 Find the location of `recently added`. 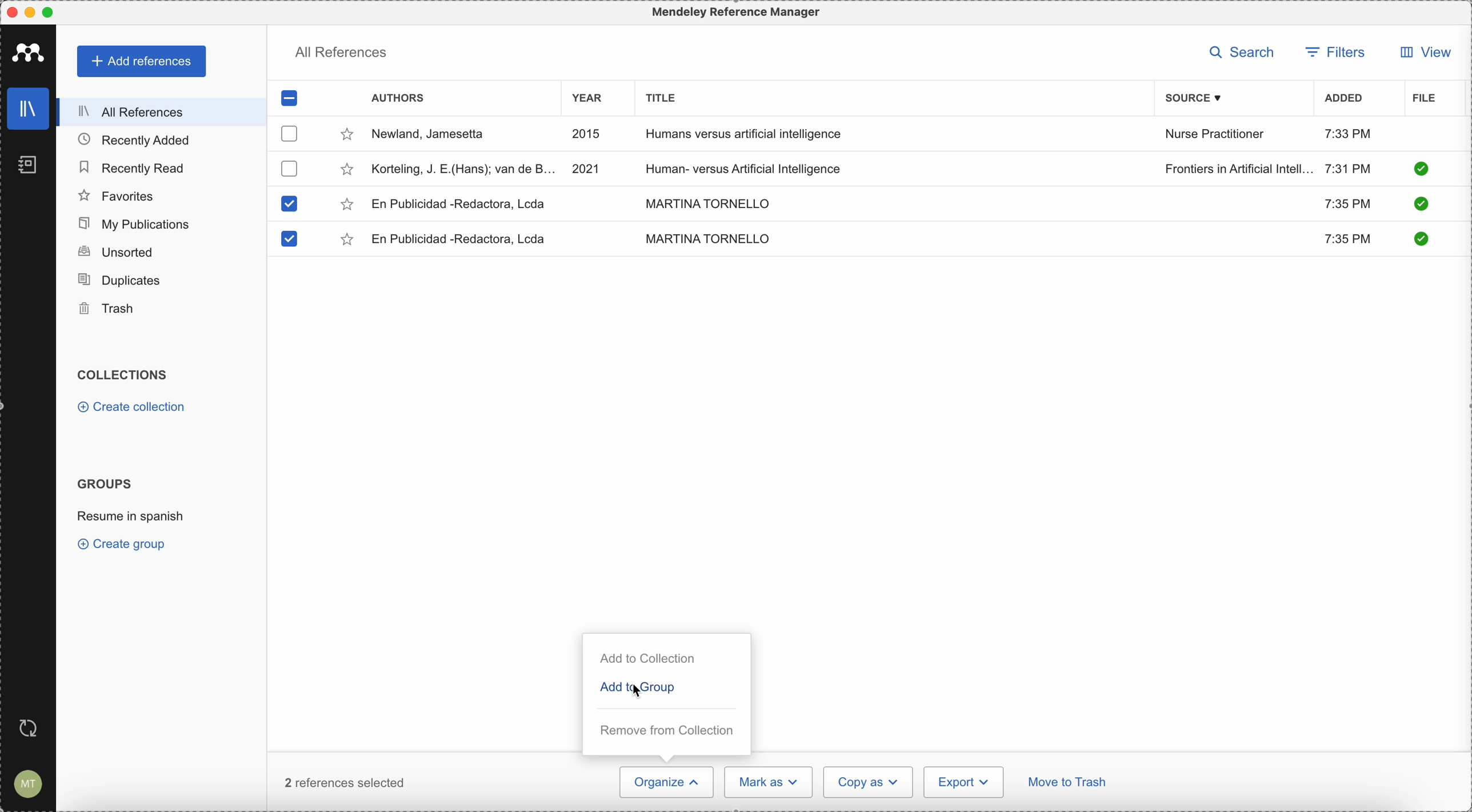

recently added is located at coordinates (143, 139).